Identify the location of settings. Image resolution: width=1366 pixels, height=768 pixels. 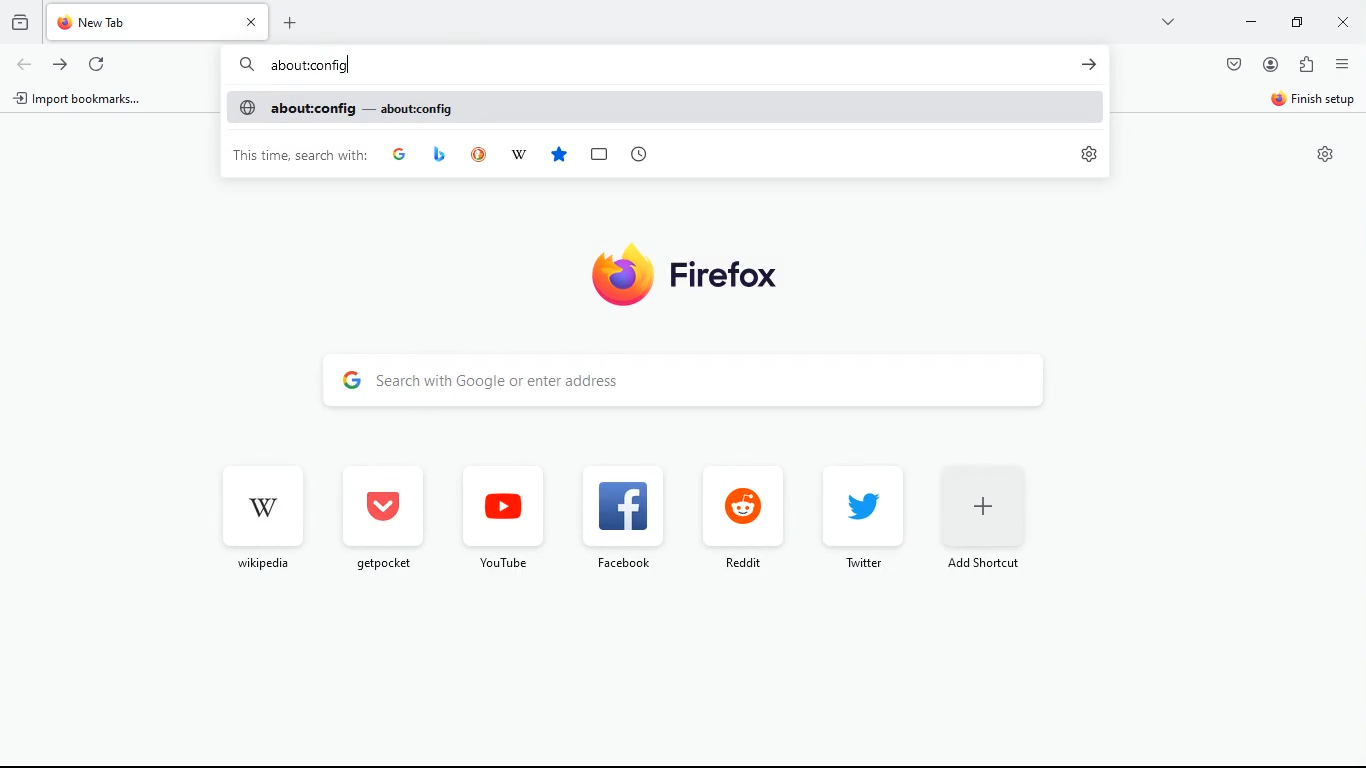
(1088, 153).